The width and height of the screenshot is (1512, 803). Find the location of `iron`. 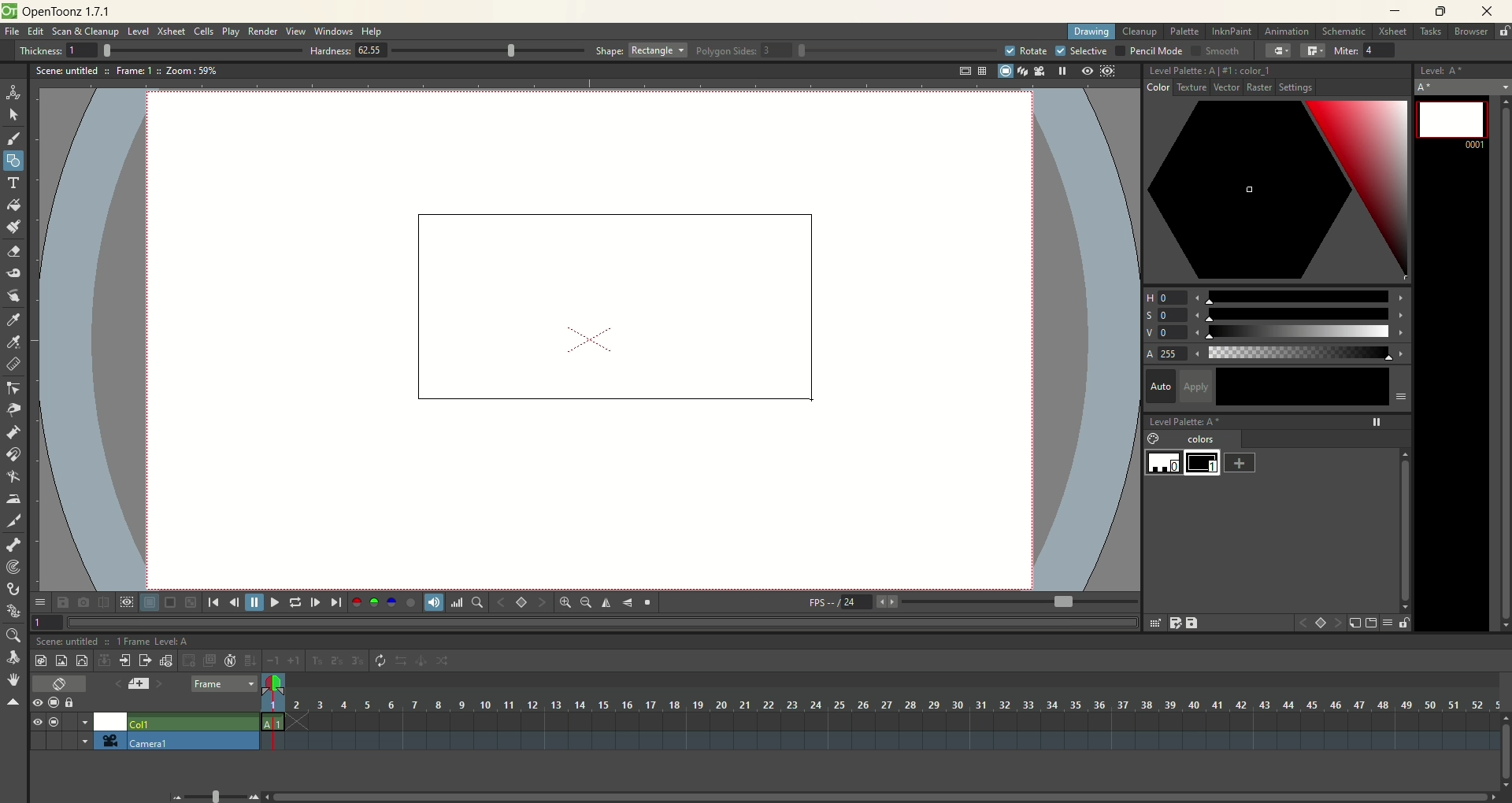

iron is located at coordinates (13, 498).